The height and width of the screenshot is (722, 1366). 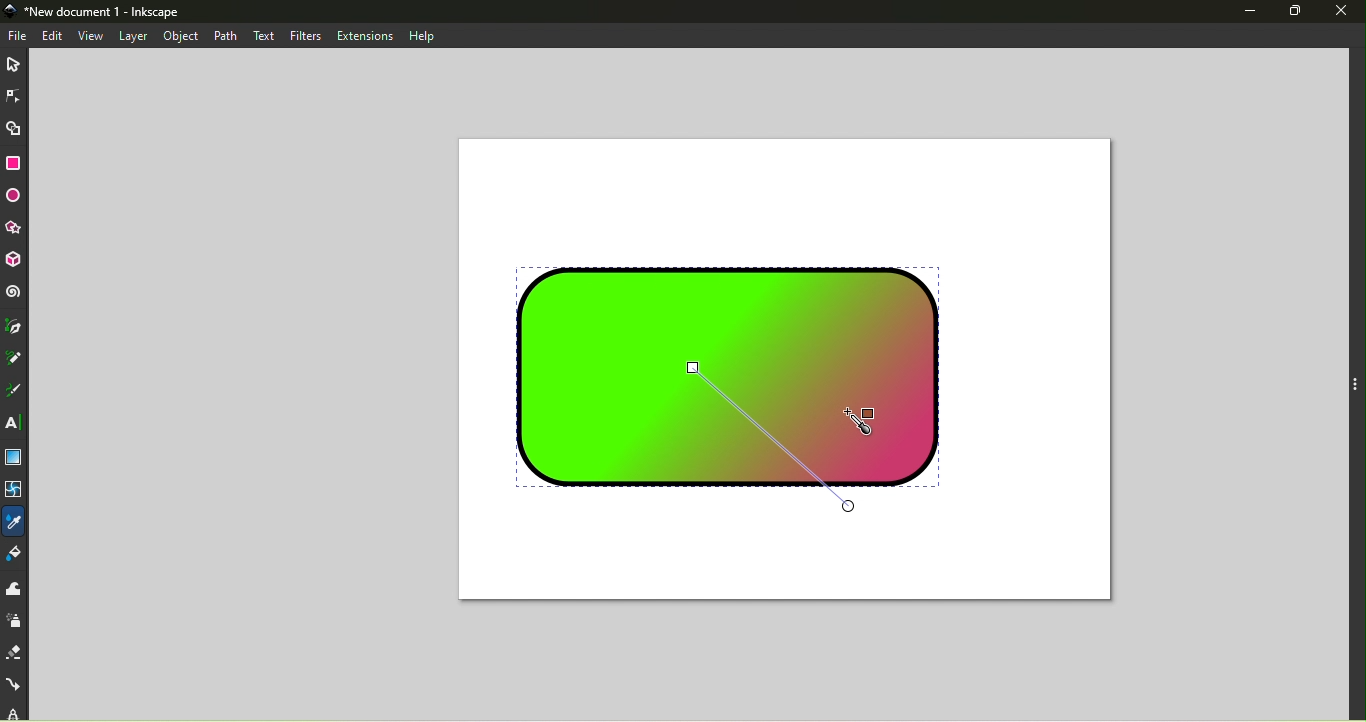 What do you see at coordinates (300, 35) in the screenshot?
I see `Filters` at bounding box center [300, 35].